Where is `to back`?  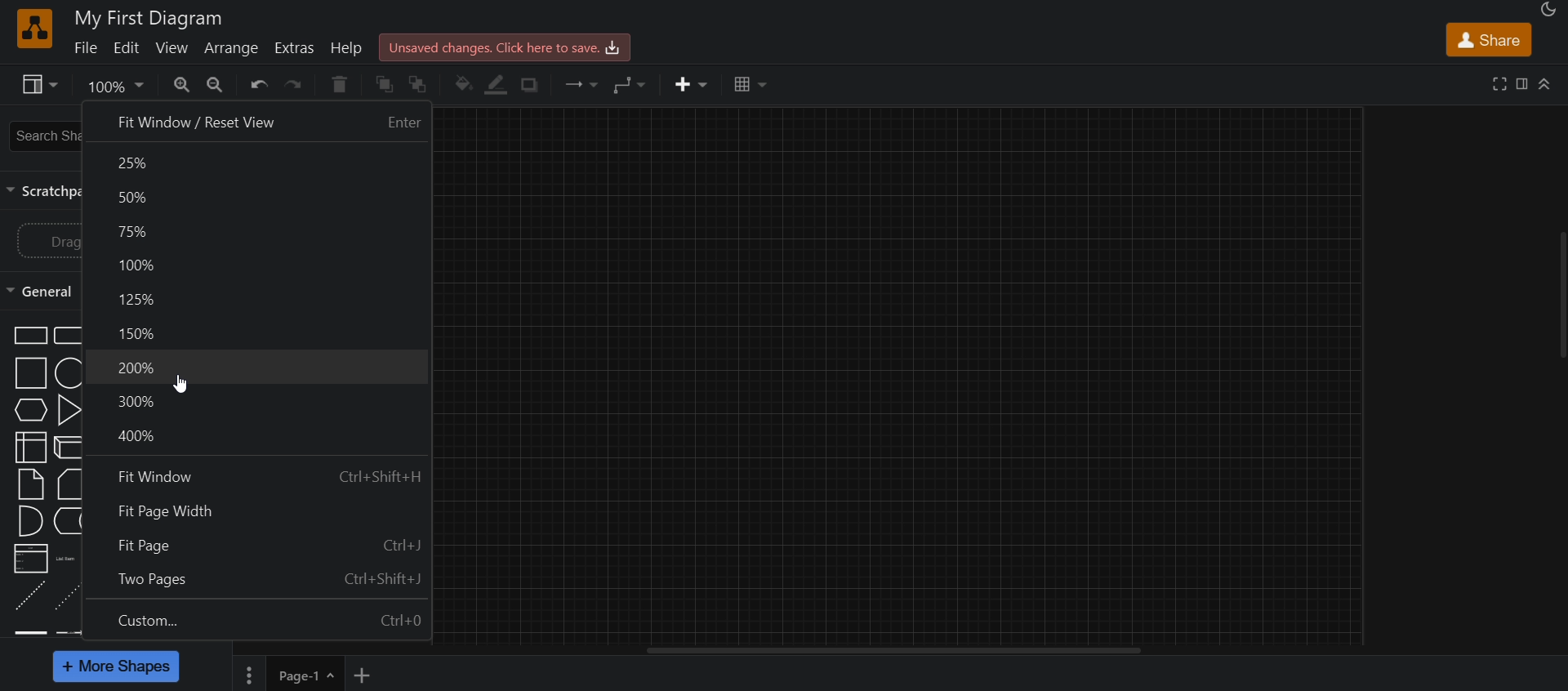
to back is located at coordinates (426, 83).